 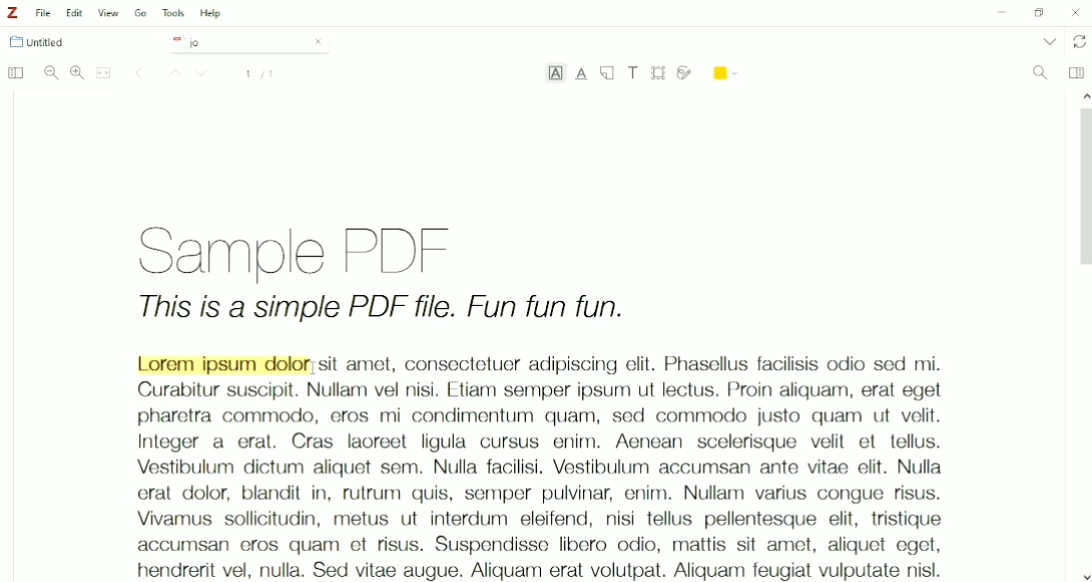 What do you see at coordinates (1076, 12) in the screenshot?
I see `Close` at bounding box center [1076, 12].